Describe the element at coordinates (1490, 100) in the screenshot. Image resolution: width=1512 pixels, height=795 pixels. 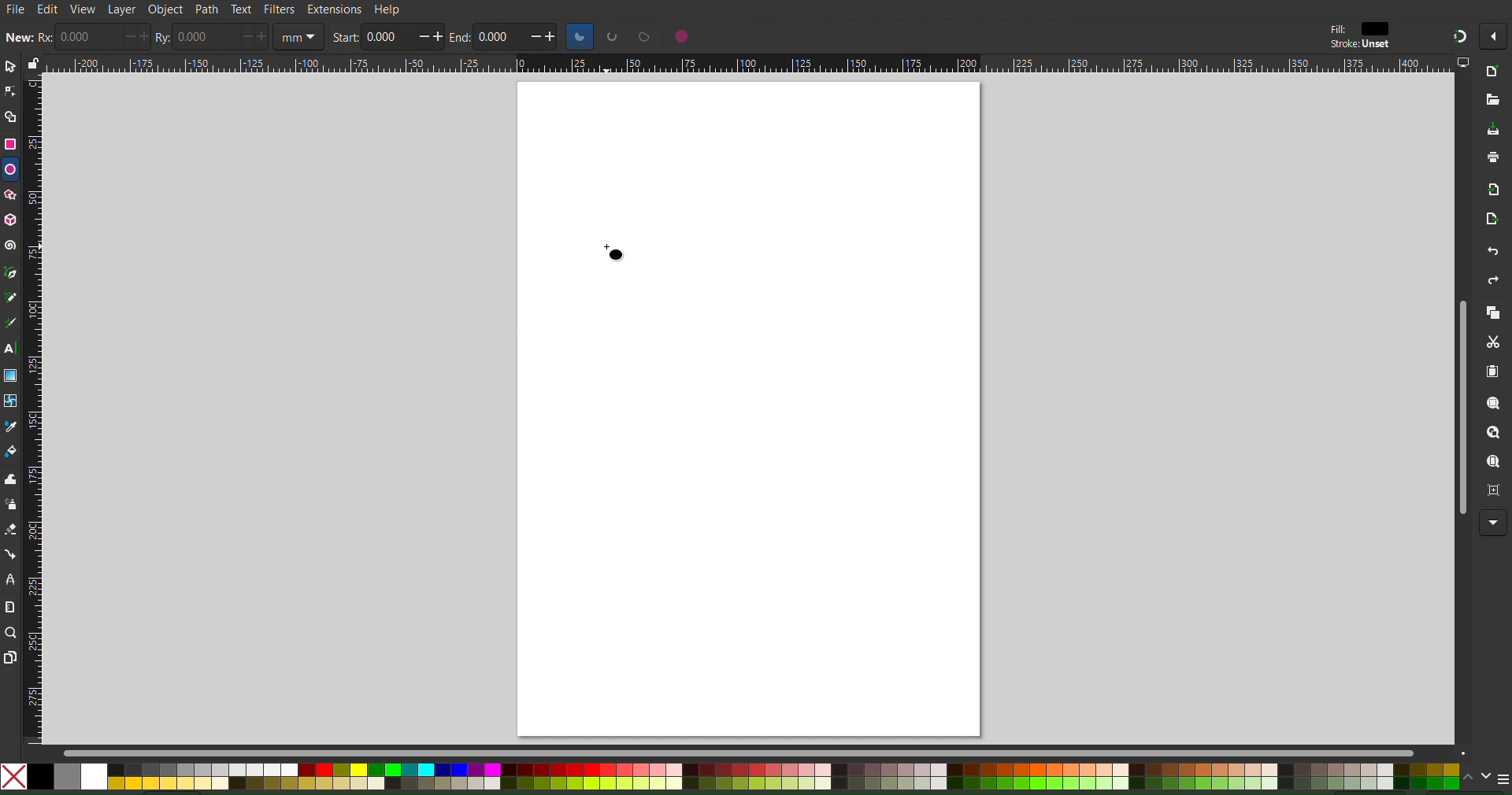
I see `Open` at that location.